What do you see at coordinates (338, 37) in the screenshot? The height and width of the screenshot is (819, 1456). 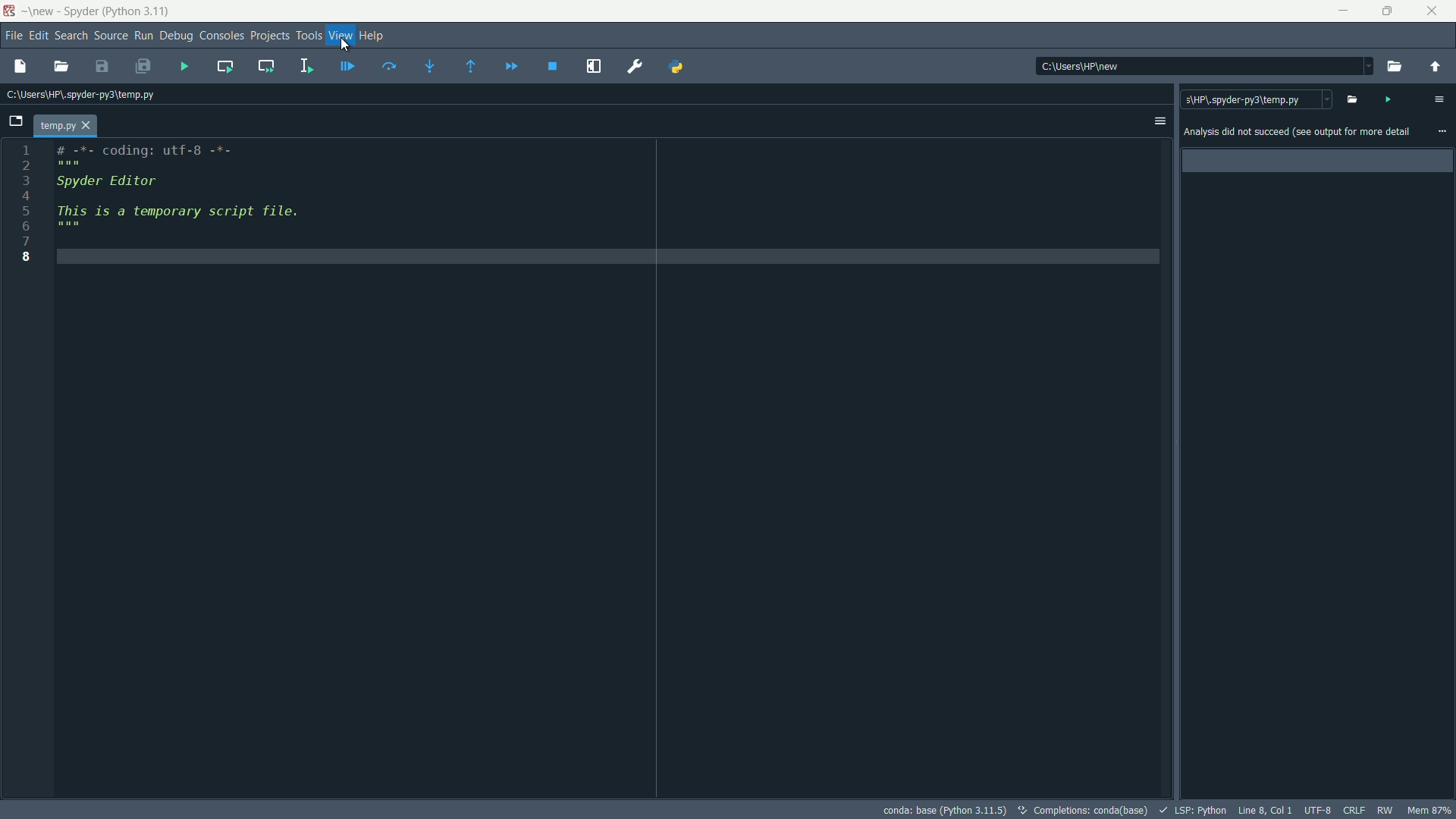 I see `view menu` at bounding box center [338, 37].